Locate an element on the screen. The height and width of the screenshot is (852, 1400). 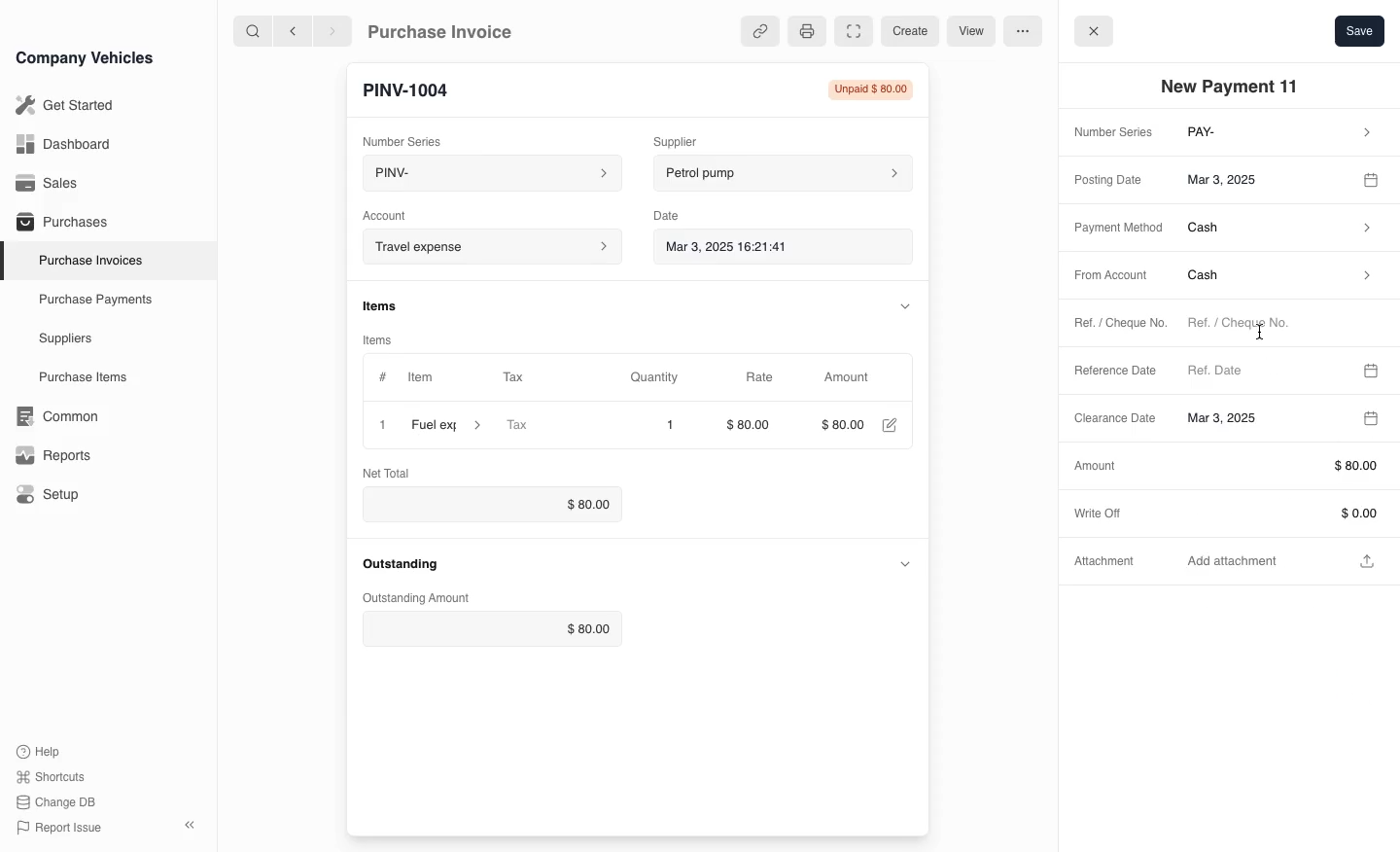
Account is located at coordinates (397, 213).